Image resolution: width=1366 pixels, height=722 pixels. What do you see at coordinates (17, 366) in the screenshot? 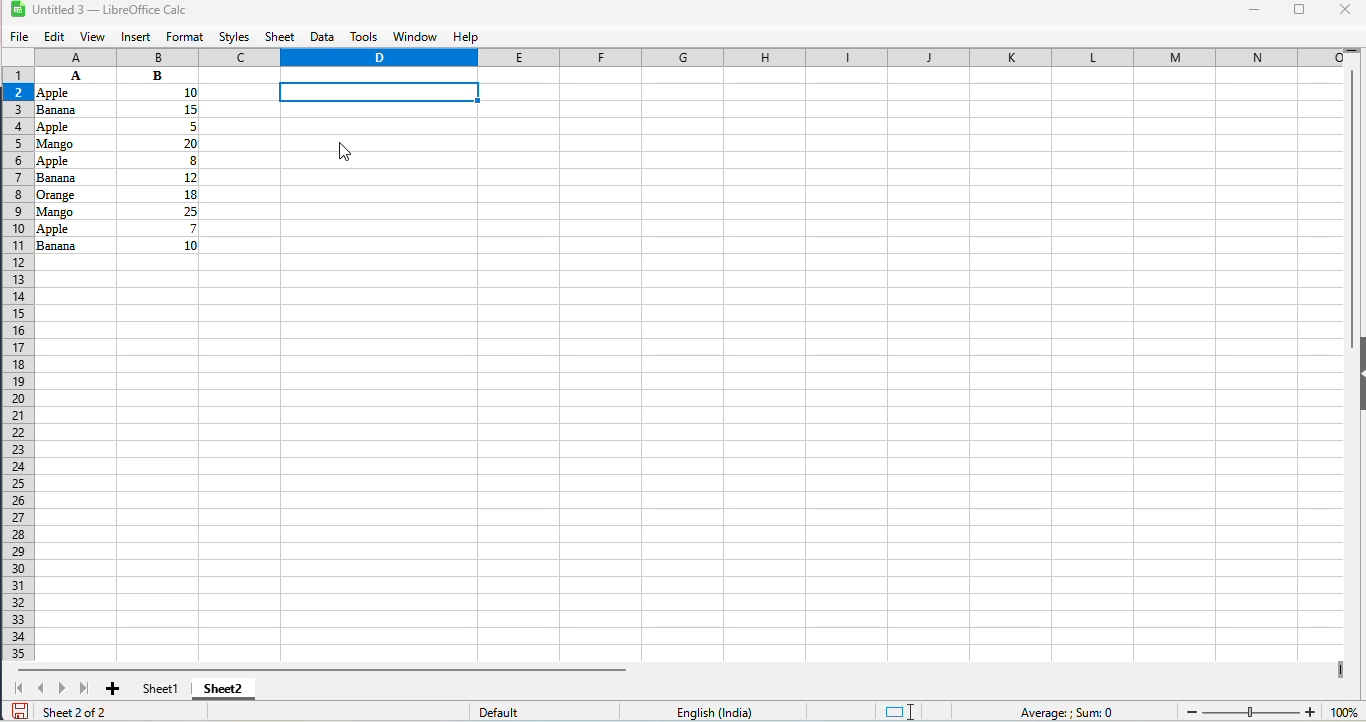
I see `rows` at bounding box center [17, 366].